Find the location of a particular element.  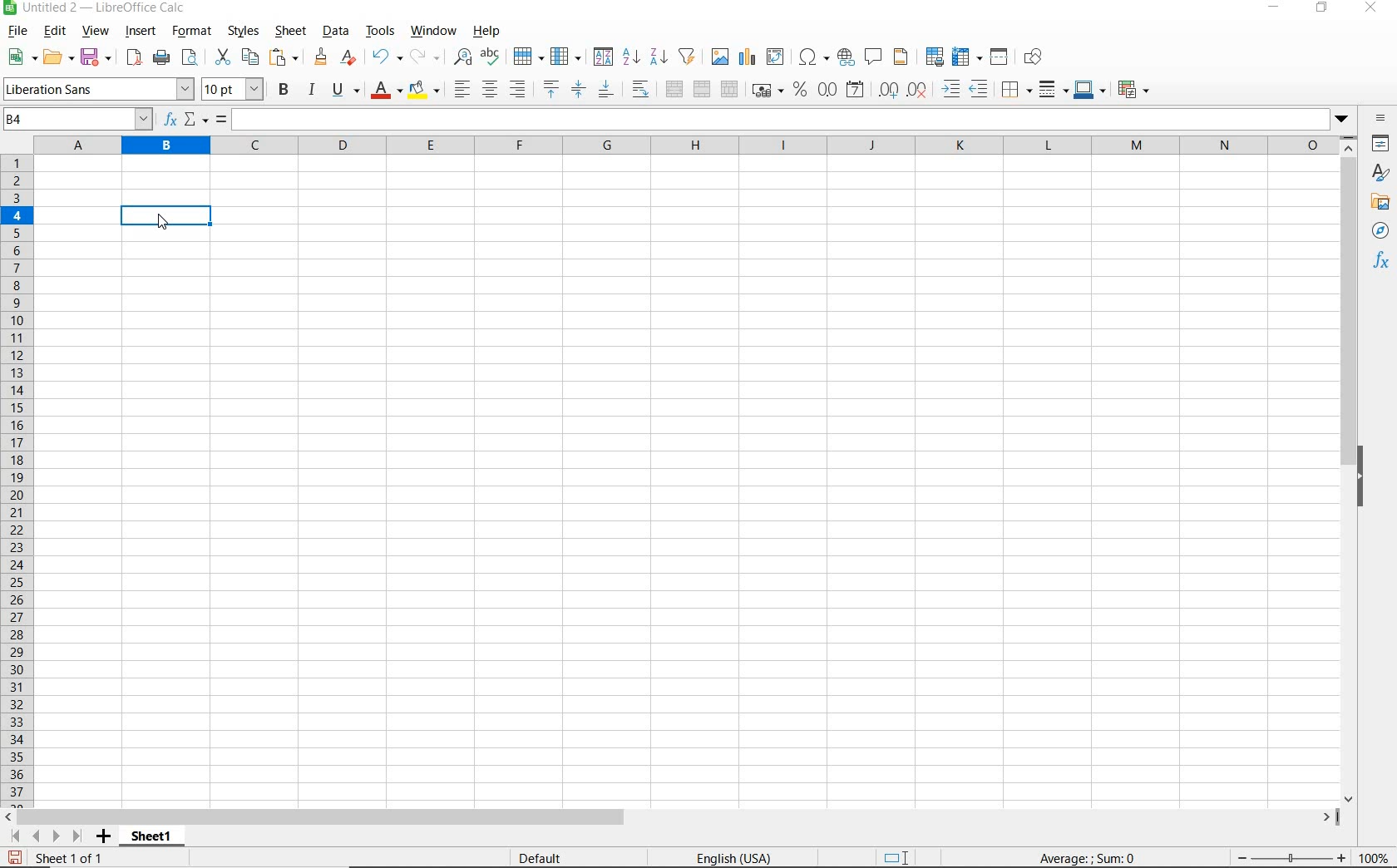

font size is located at coordinates (233, 89).